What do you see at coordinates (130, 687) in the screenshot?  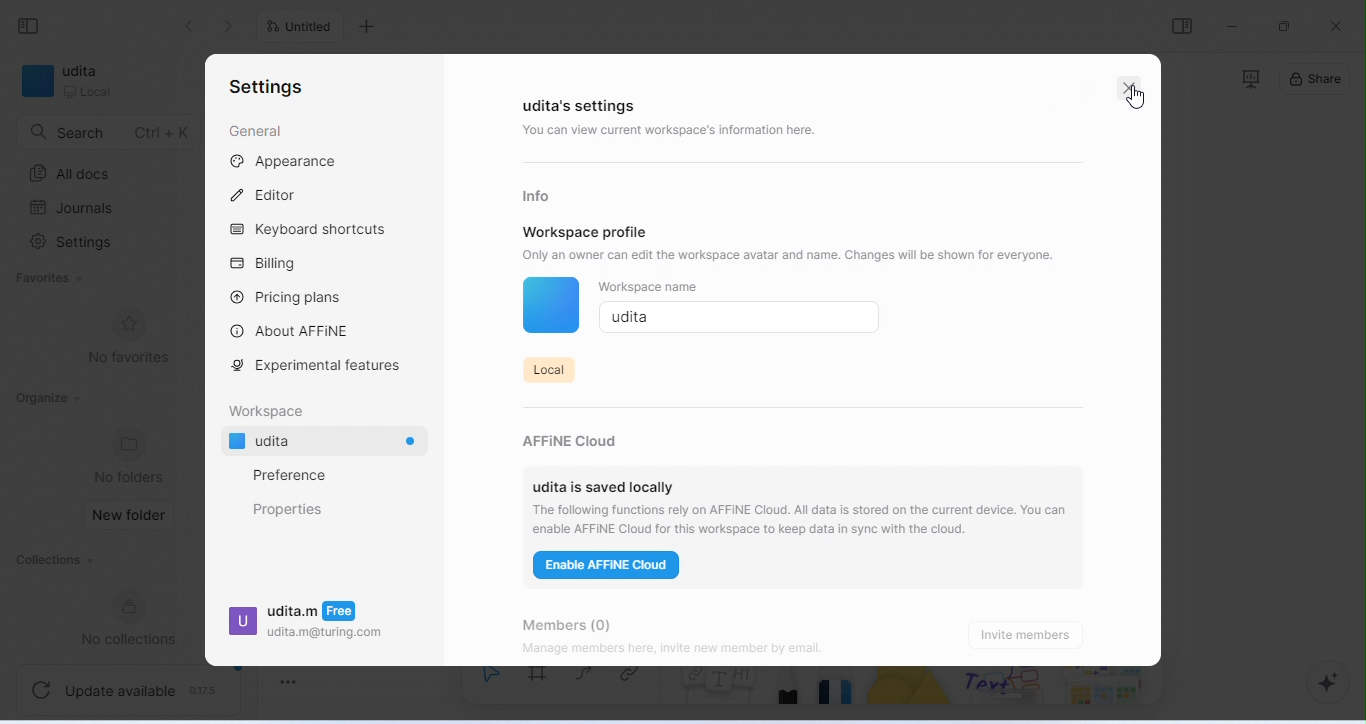 I see `update available` at bounding box center [130, 687].